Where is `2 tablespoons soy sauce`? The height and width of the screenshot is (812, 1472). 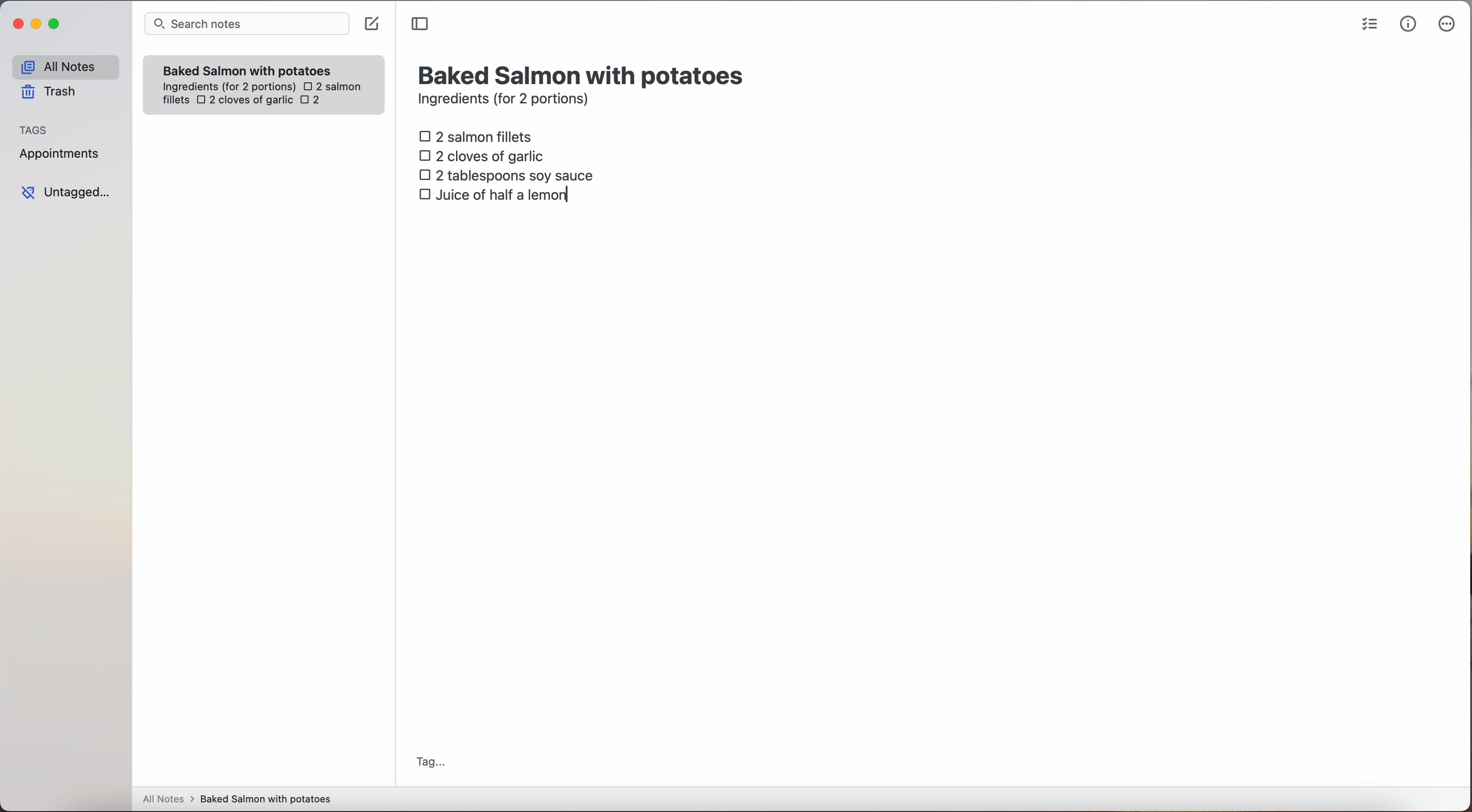 2 tablespoons soy sauce is located at coordinates (506, 175).